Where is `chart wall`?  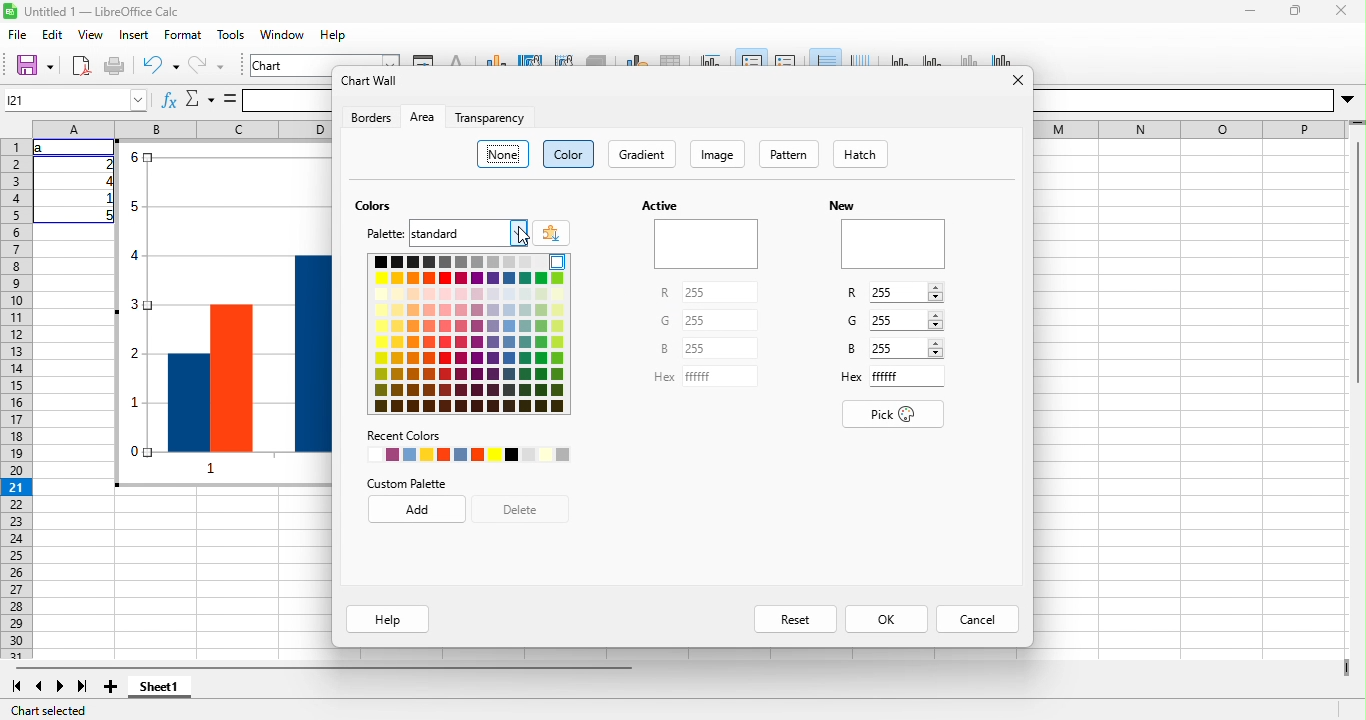 chart wall is located at coordinates (371, 80).